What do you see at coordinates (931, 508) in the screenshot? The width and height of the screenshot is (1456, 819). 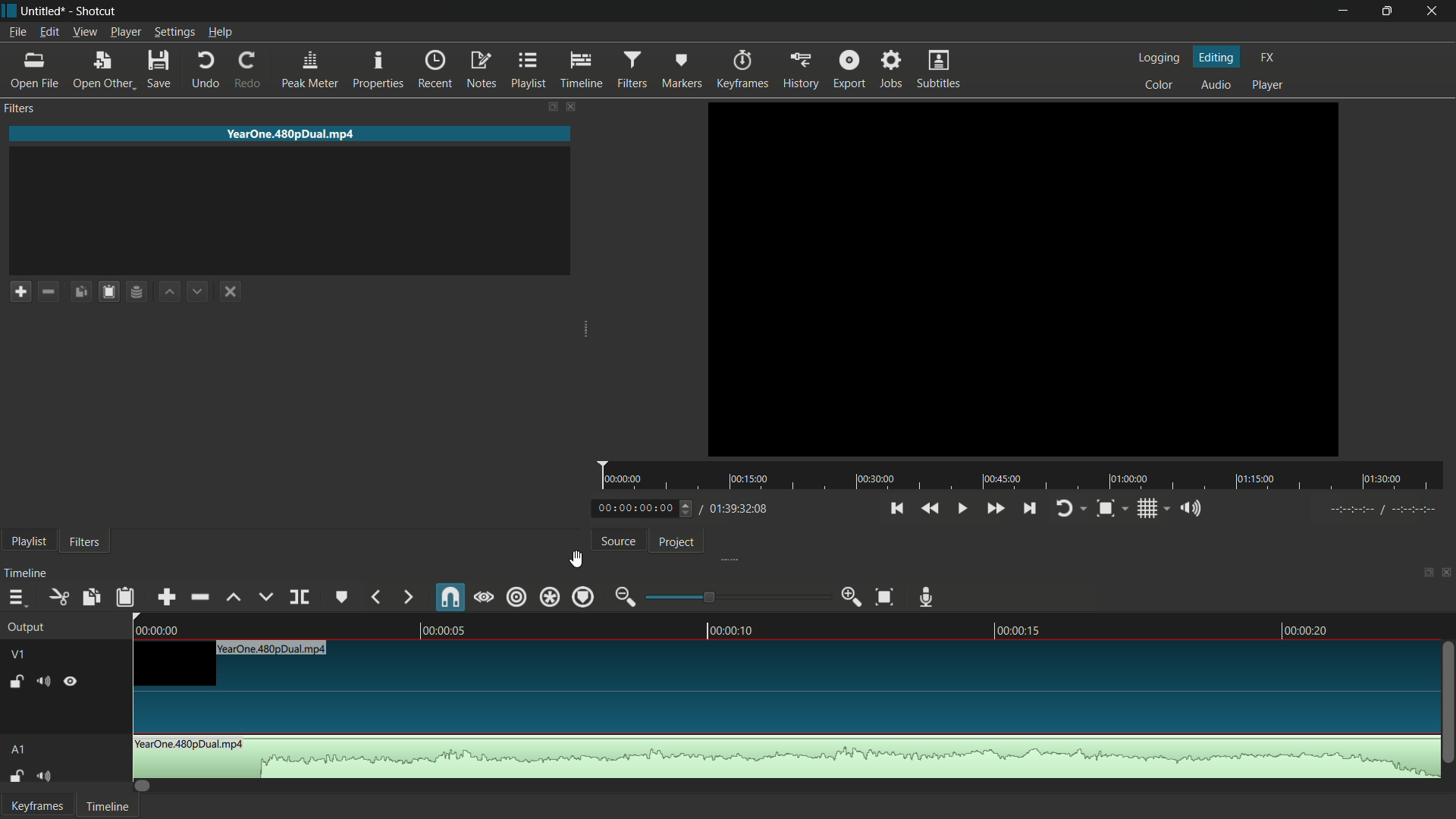 I see `quickly play backward` at bounding box center [931, 508].